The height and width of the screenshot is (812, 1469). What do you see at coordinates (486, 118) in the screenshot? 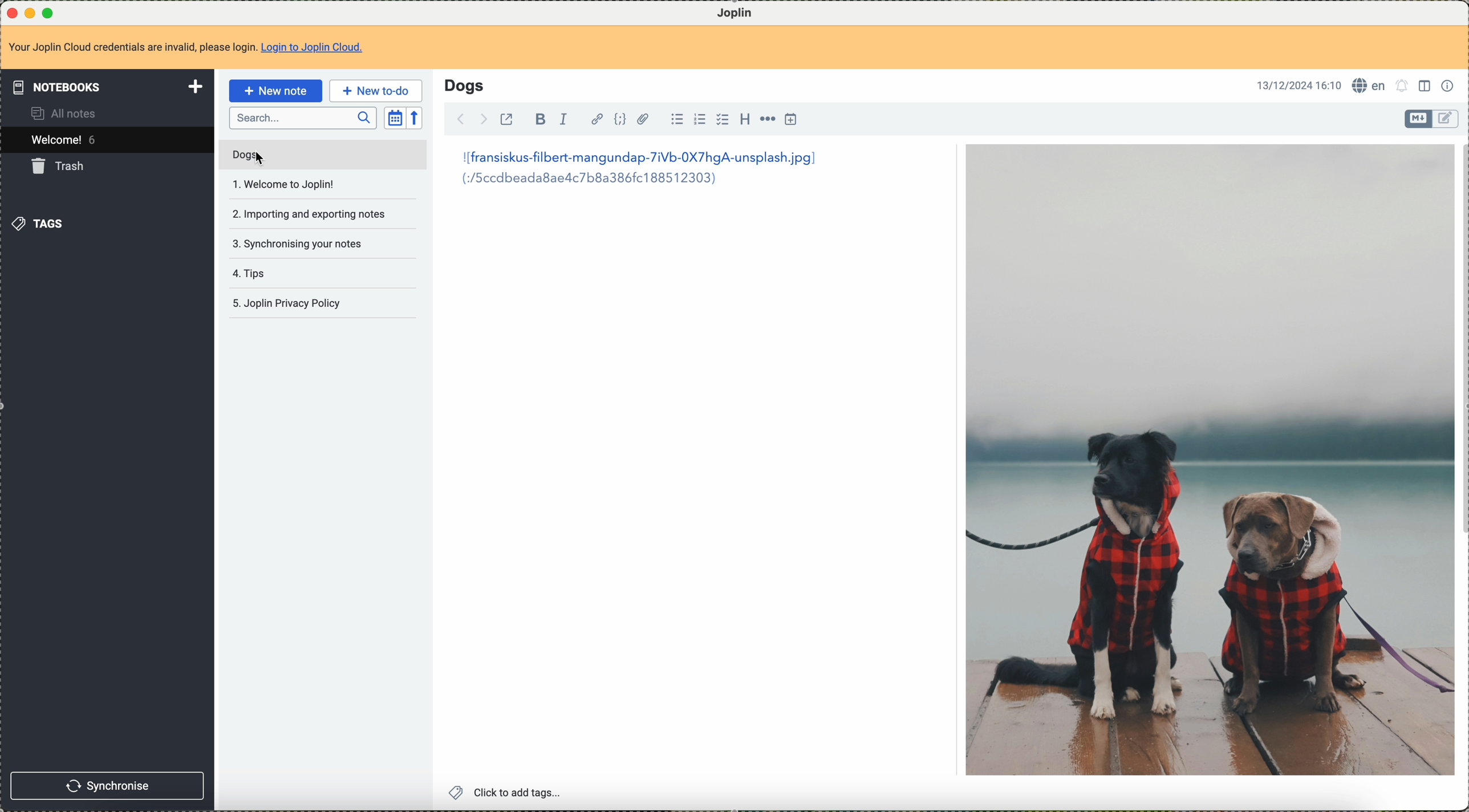
I see `foward` at bounding box center [486, 118].